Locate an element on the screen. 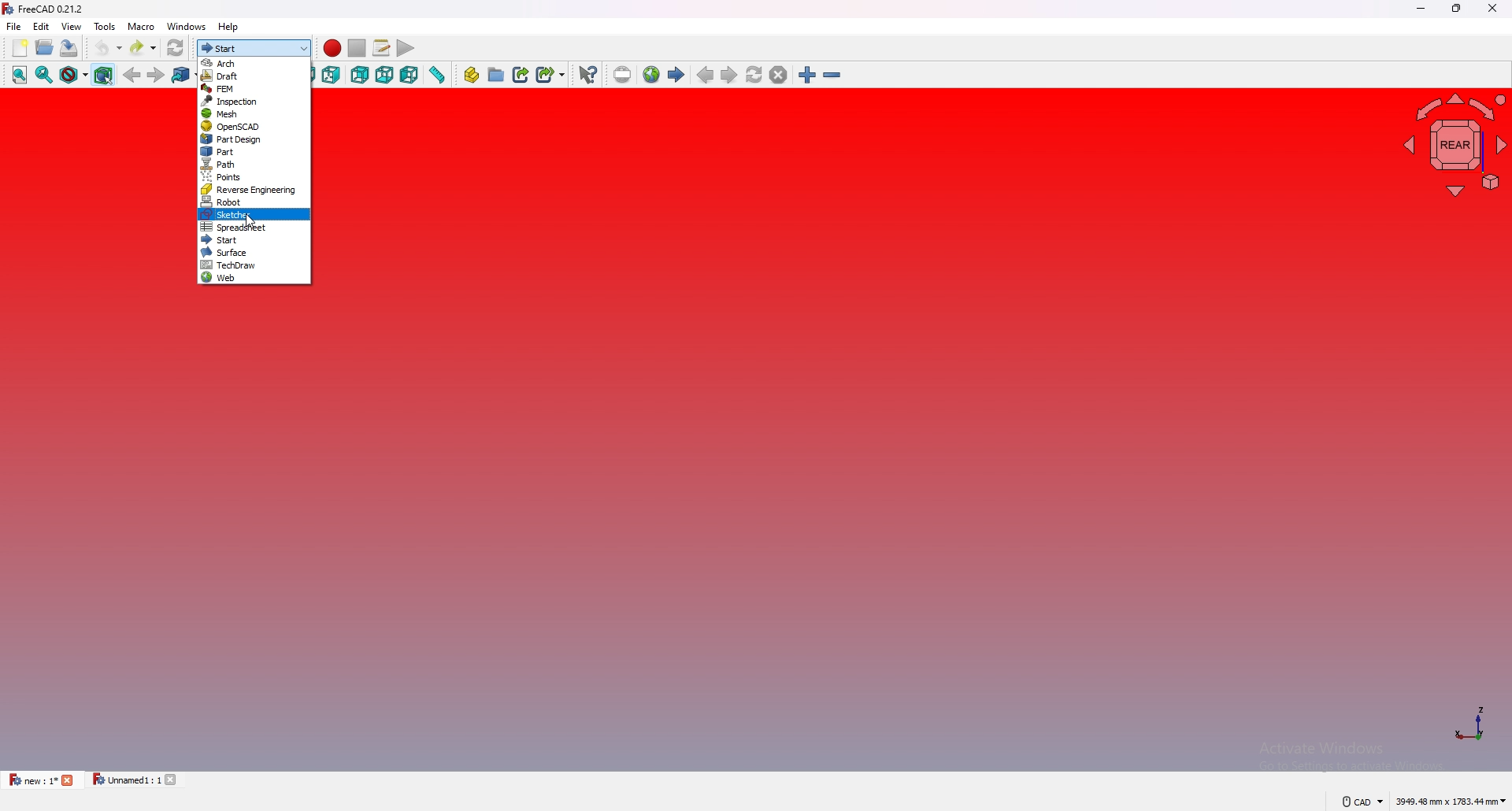  bottom is located at coordinates (385, 75).